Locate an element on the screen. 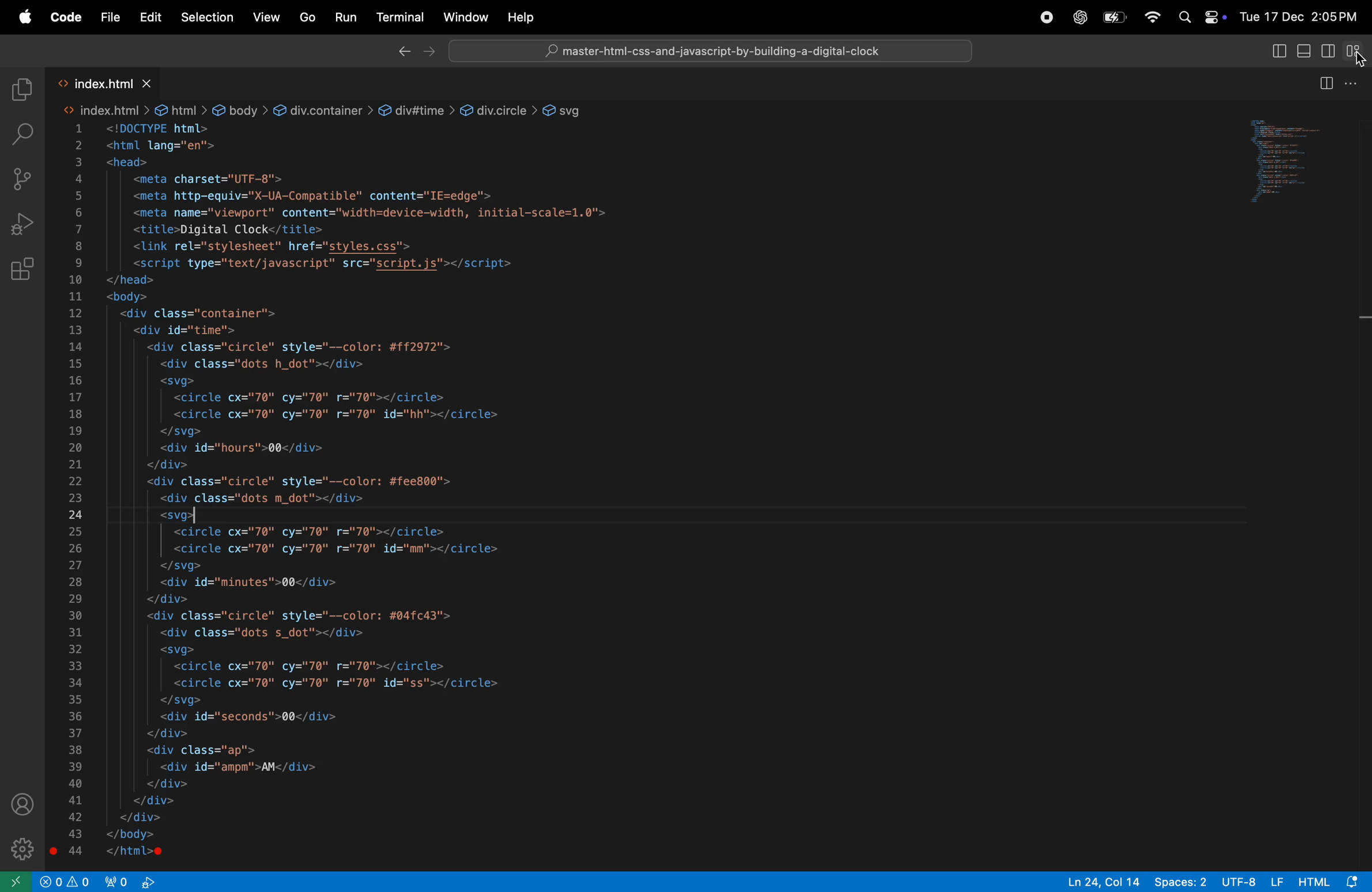 This screenshot has width=1372, height=892. search is located at coordinates (21, 134).